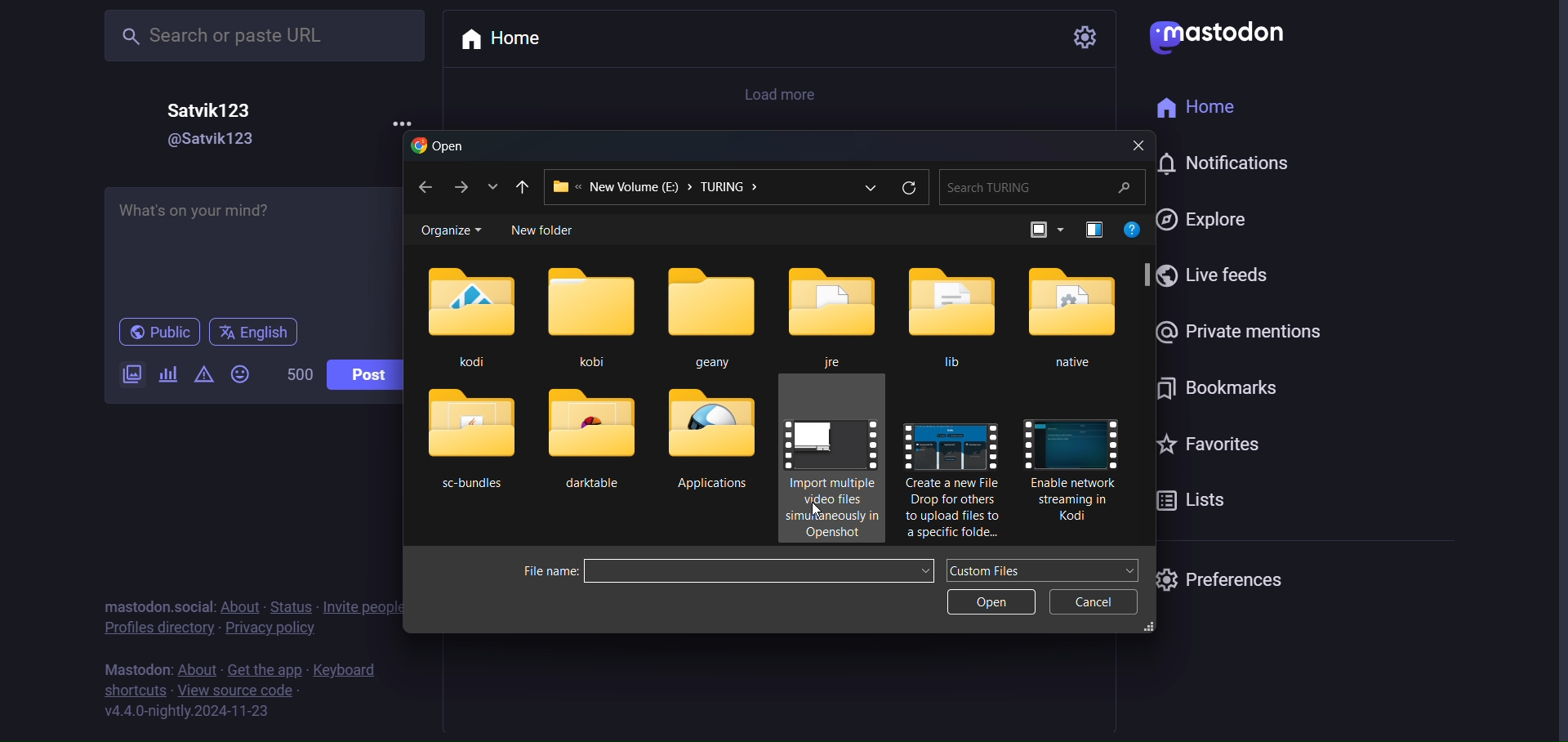  I want to click on cancel, so click(1094, 601).